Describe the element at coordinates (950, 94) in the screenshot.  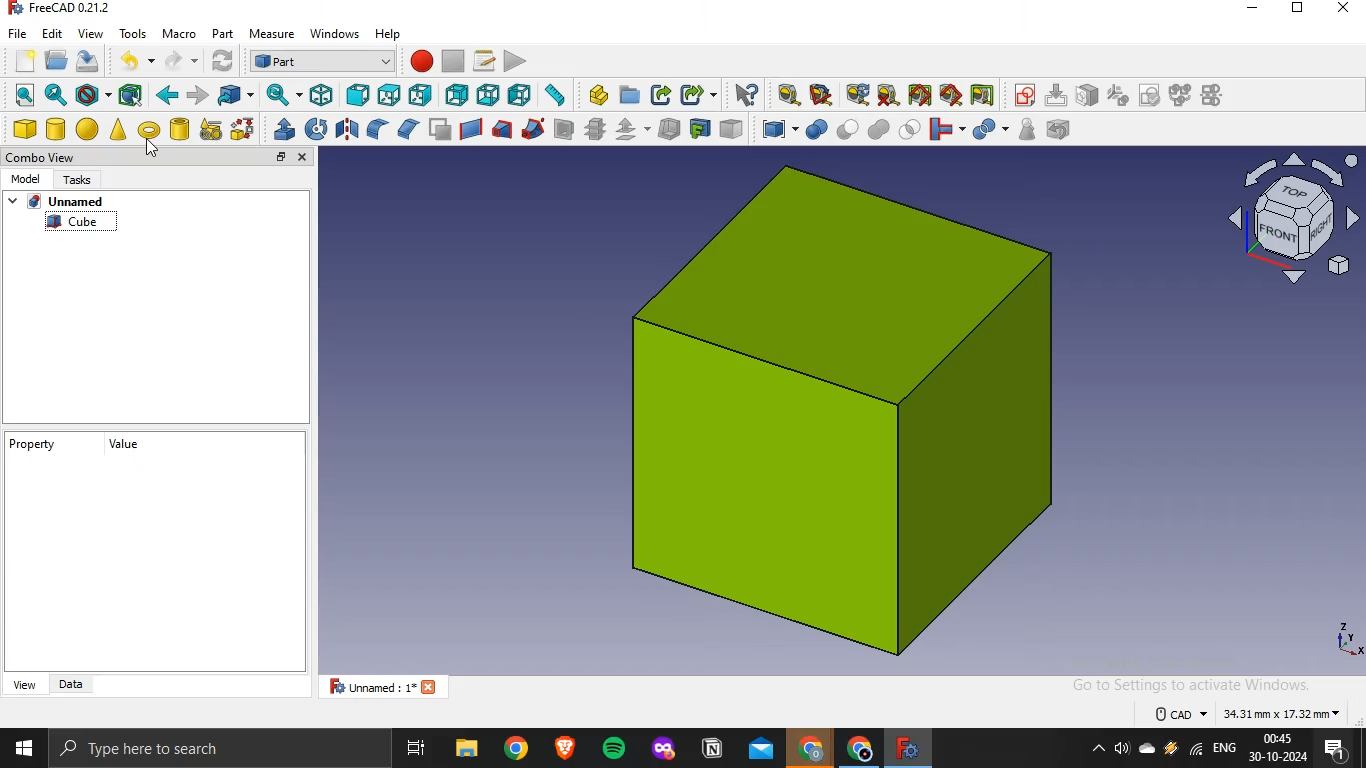
I see `toggle 3d` at that location.